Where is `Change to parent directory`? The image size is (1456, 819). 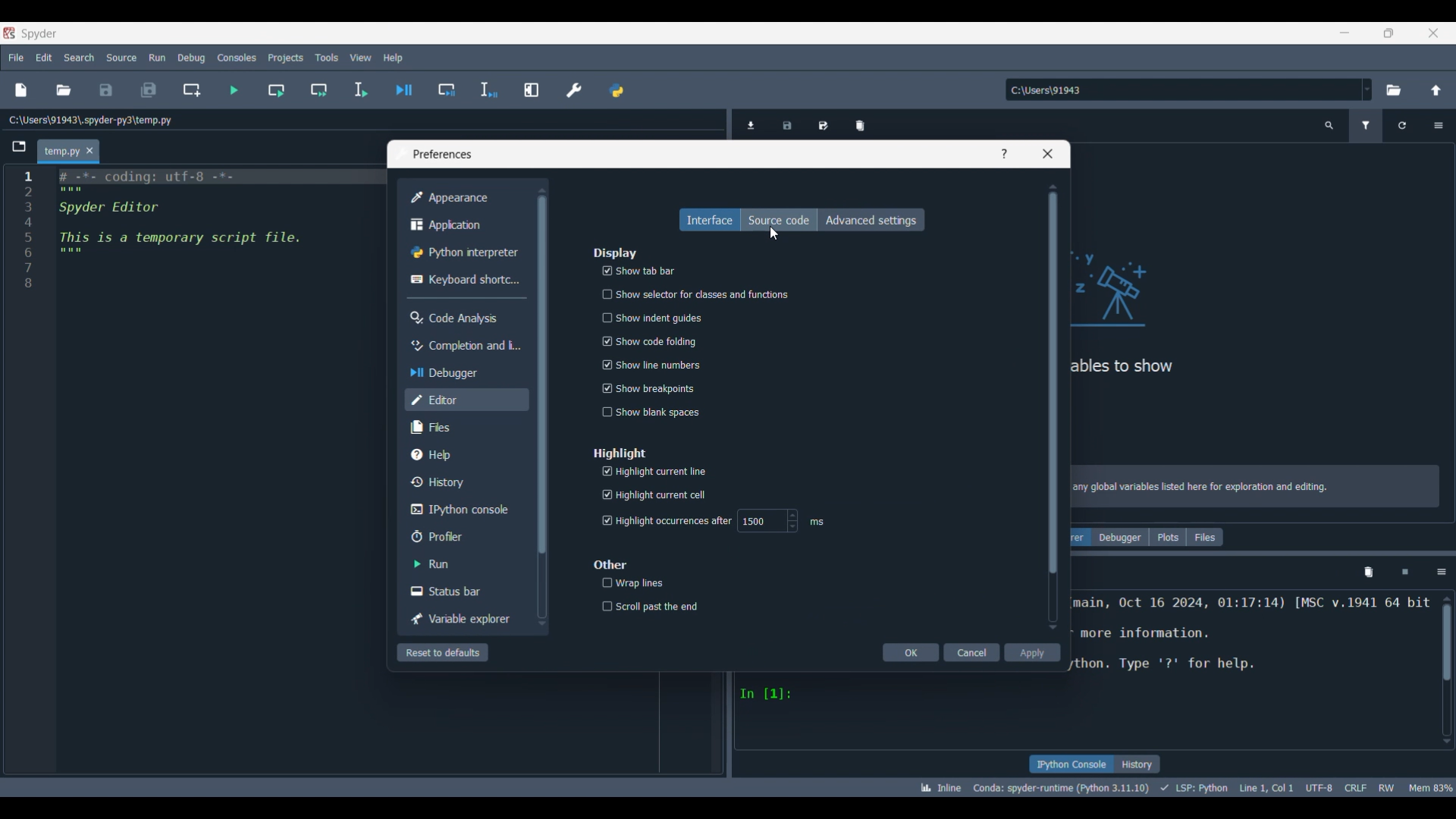 Change to parent directory is located at coordinates (1437, 90).